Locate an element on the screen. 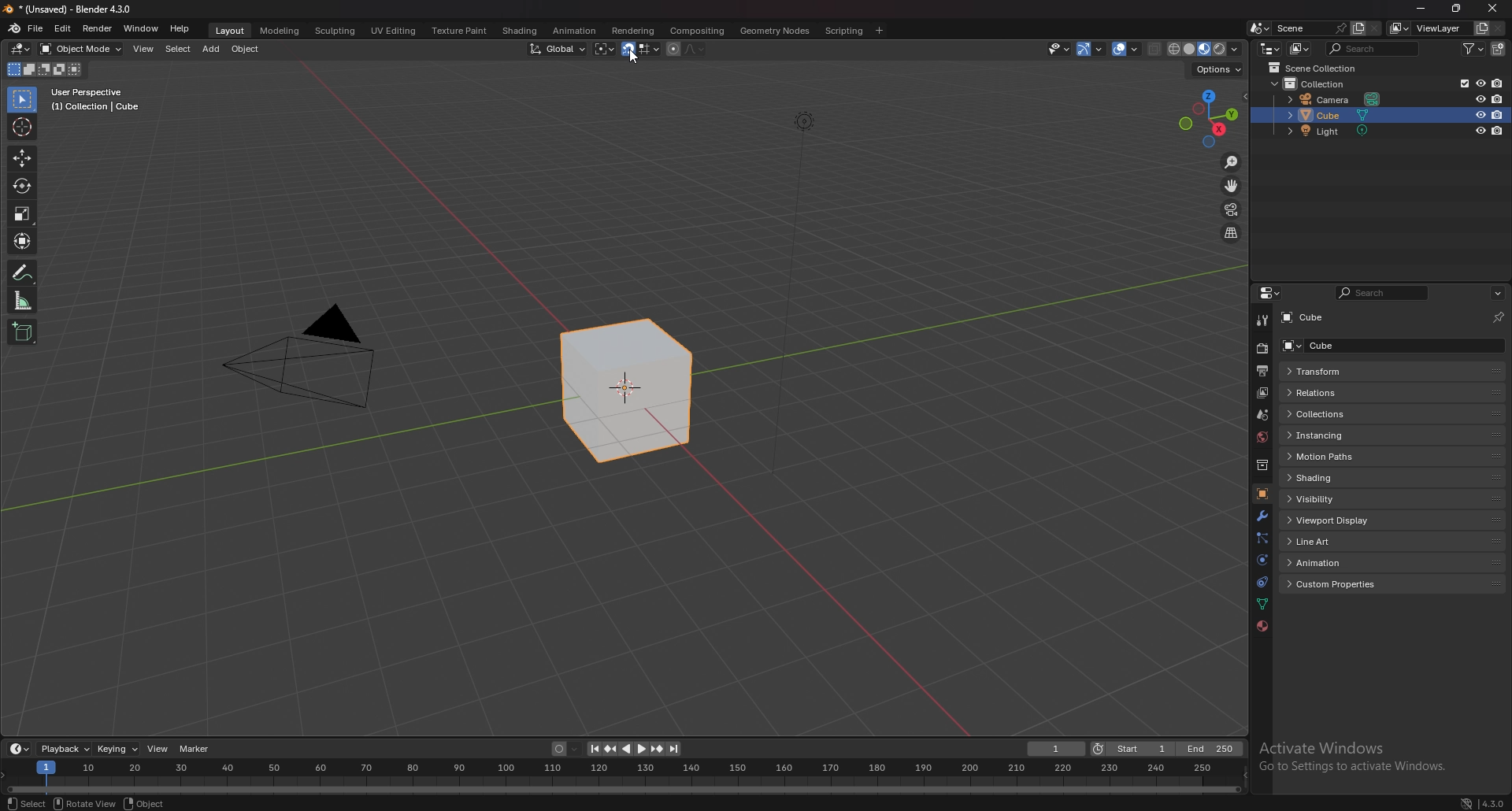 The height and width of the screenshot is (811, 1512). compositing is located at coordinates (699, 31).